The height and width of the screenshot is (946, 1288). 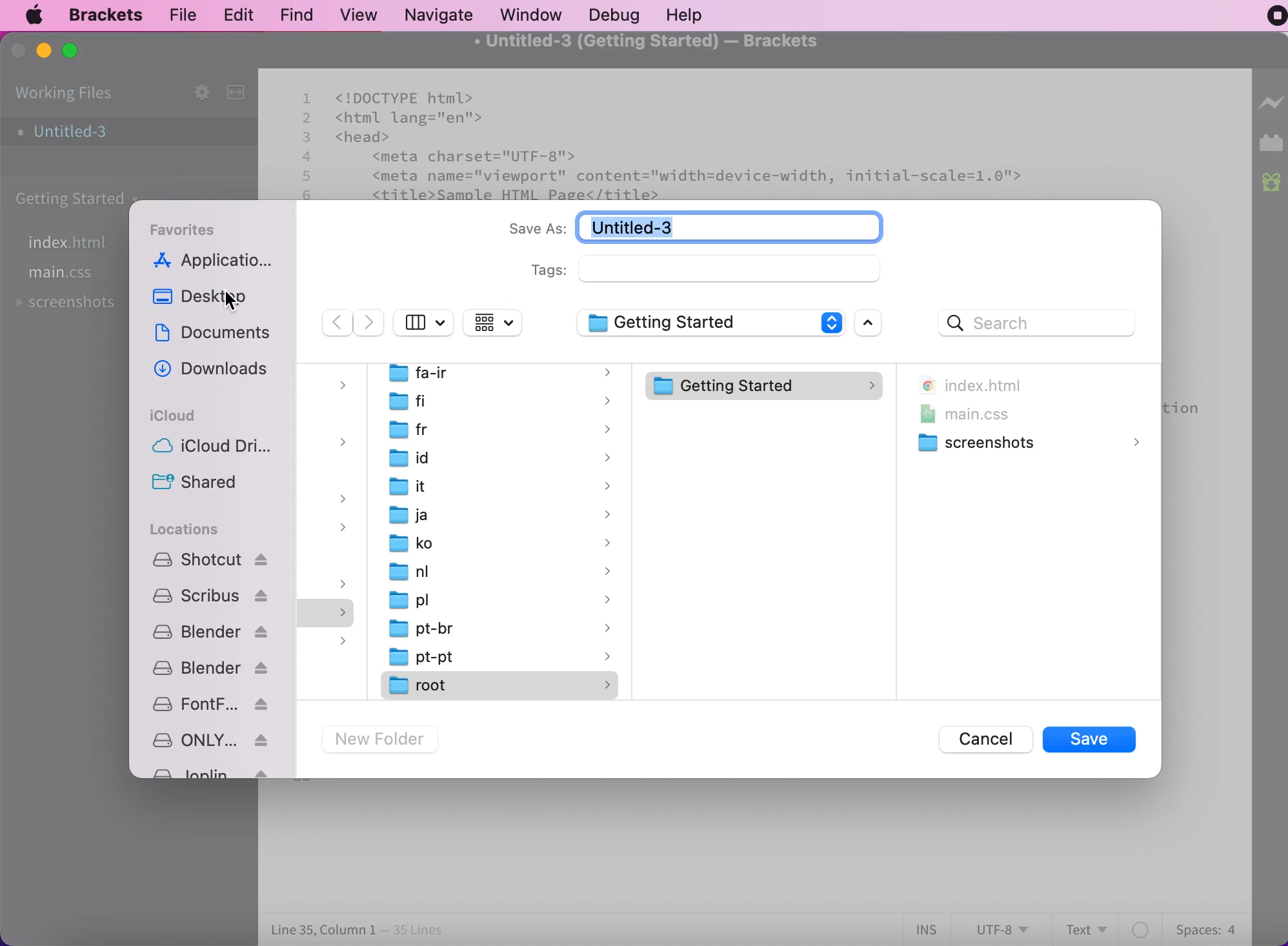 What do you see at coordinates (72, 301) in the screenshot?
I see `screenshots` at bounding box center [72, 301].